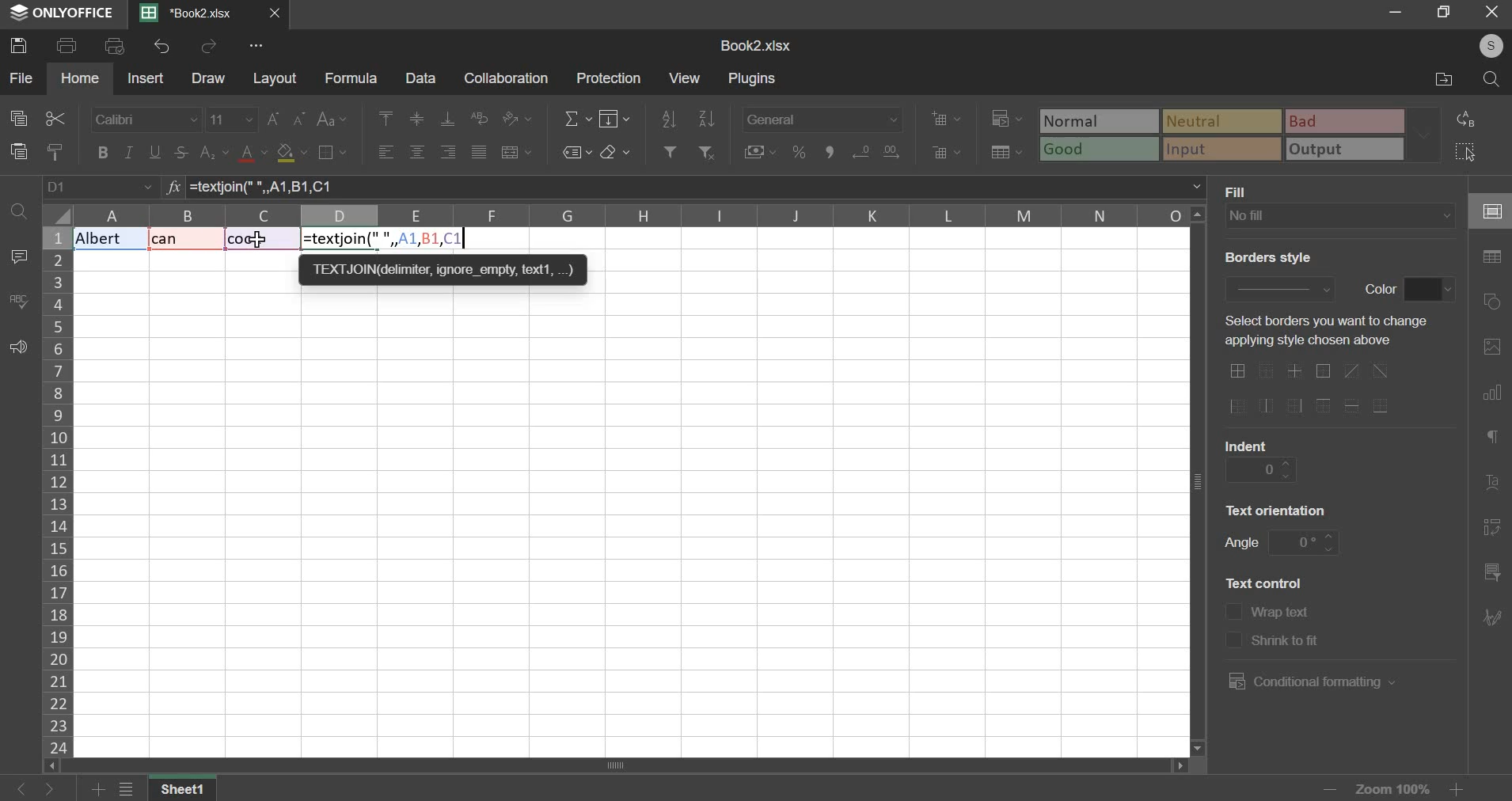 The width and height of the screenshot is (1512, 801). I want to click on align right, so click(449, 152).